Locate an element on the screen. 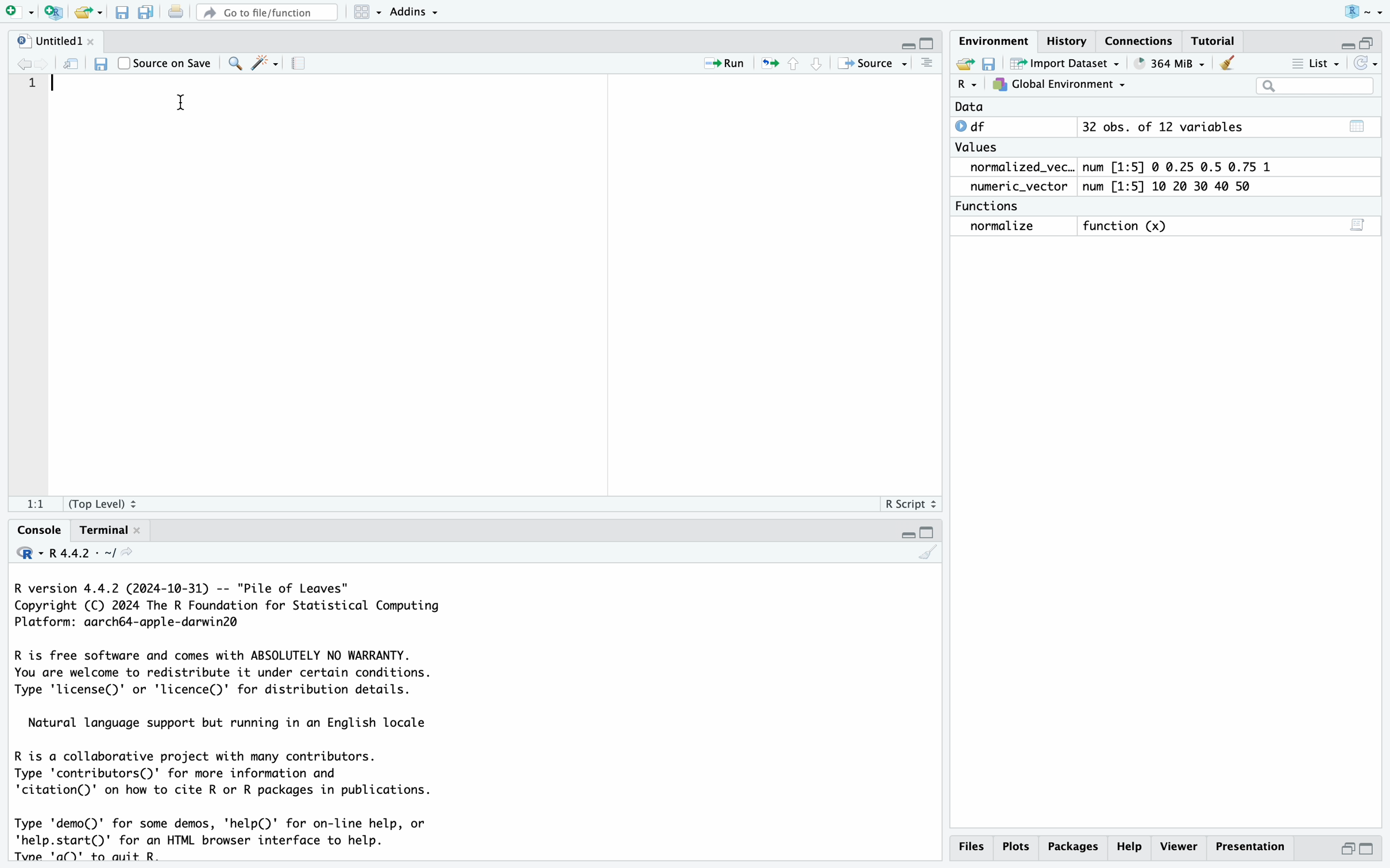 The height and width of the screenshot is (868, 1390). normalized_vec is located at coordinates (1013, 168).